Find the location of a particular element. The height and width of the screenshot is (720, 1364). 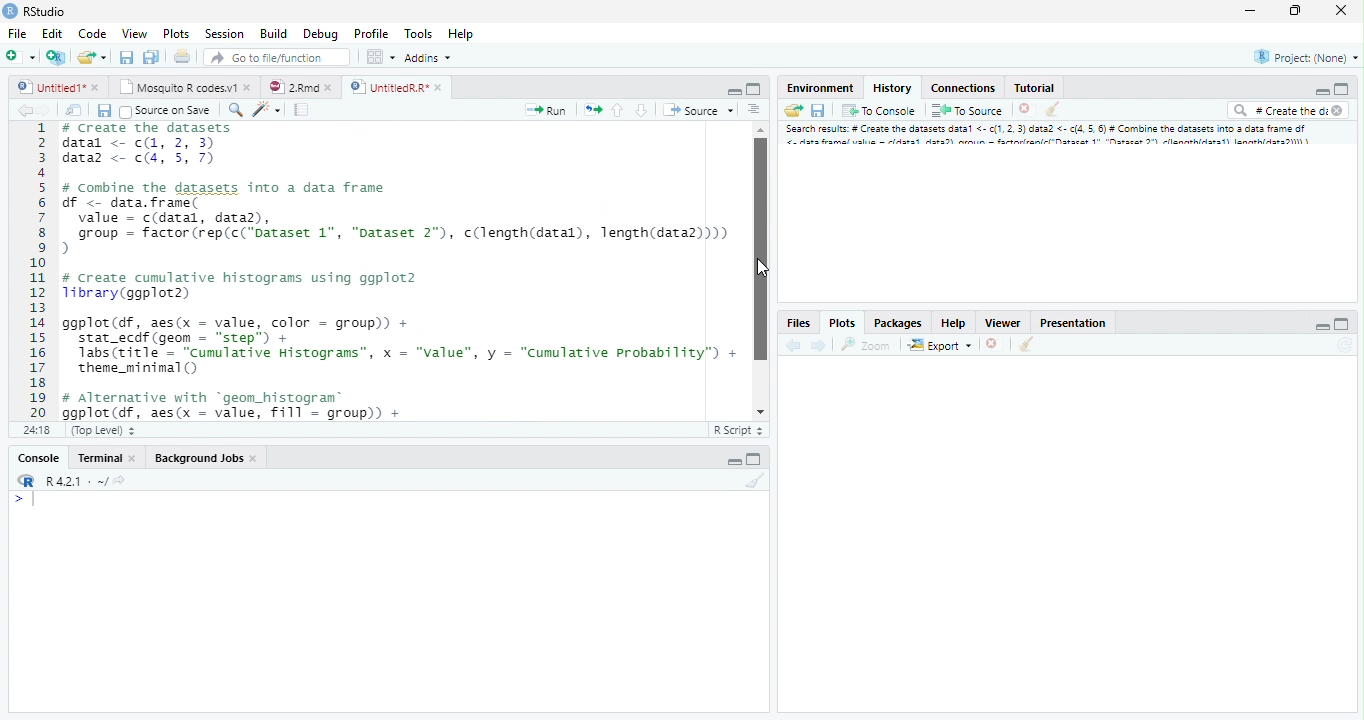

Zoom is located at coordinates (235, 112).